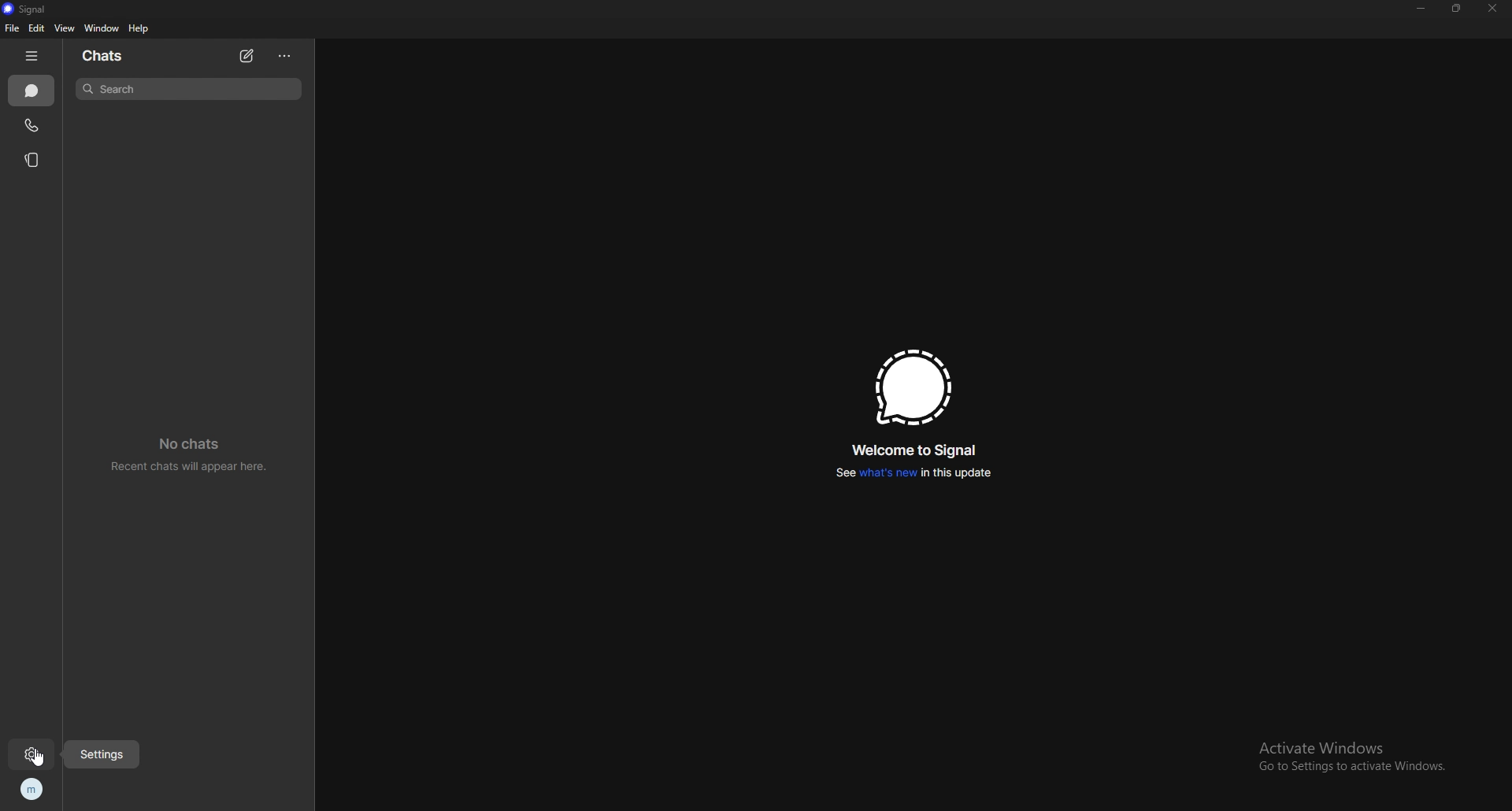 The image size is (1512, 811). Describe the element at coordinates (36, 28) in the screenshot. I see `edit` at that location.